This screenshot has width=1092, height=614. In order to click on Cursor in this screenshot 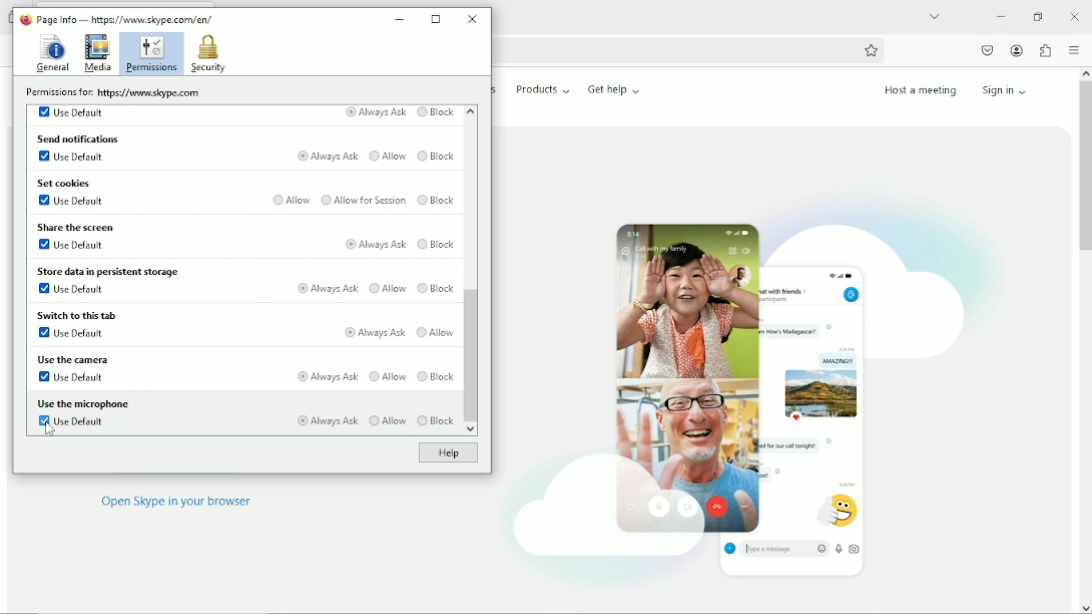, I will do `click(49, 431)`.